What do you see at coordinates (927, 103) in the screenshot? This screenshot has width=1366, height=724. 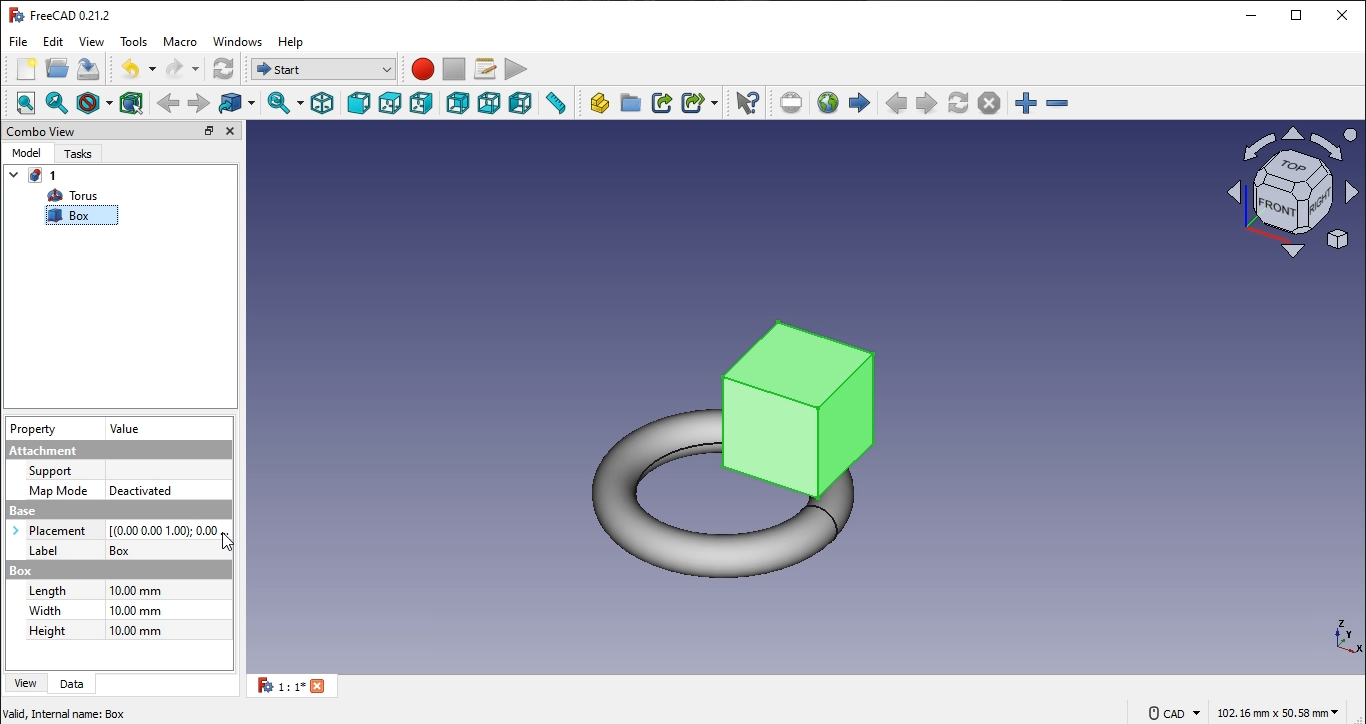 I see `next page` at bounding box center [927, 103].